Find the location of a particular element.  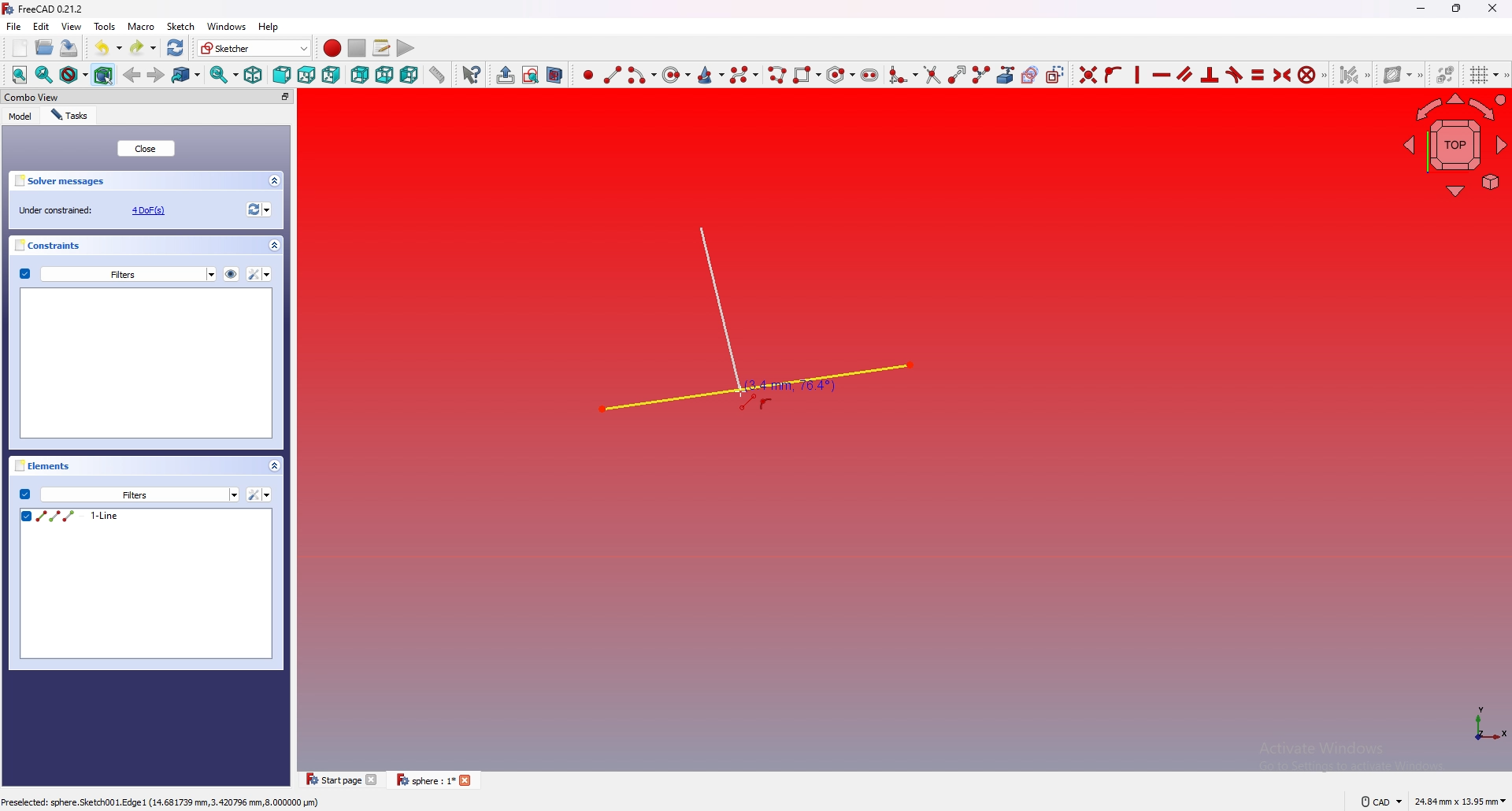

Help is located at coordinates (269, 27).